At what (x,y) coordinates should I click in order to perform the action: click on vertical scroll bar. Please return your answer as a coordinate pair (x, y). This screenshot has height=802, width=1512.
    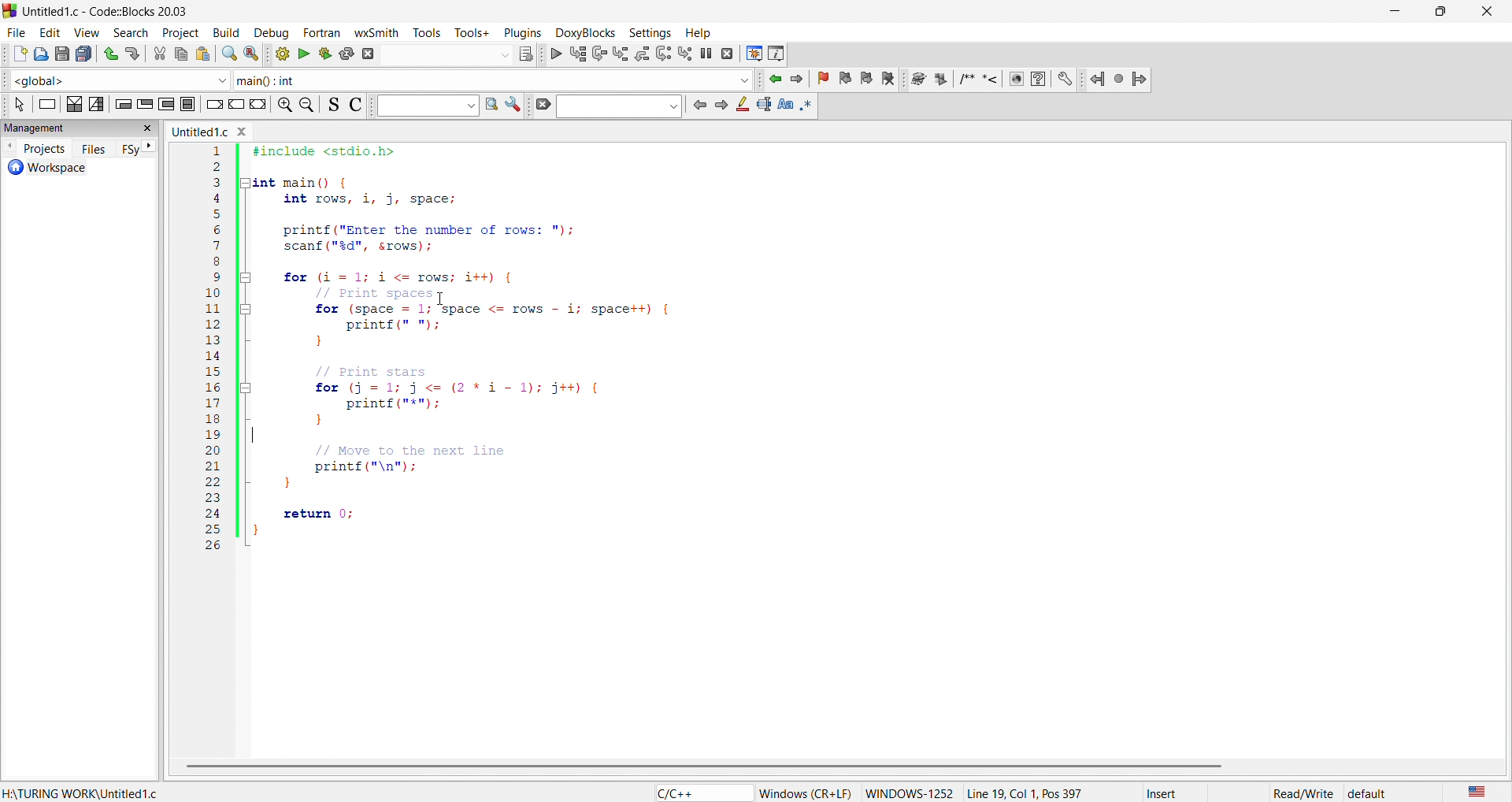
    Looking at the image, I should click on (701, 764).